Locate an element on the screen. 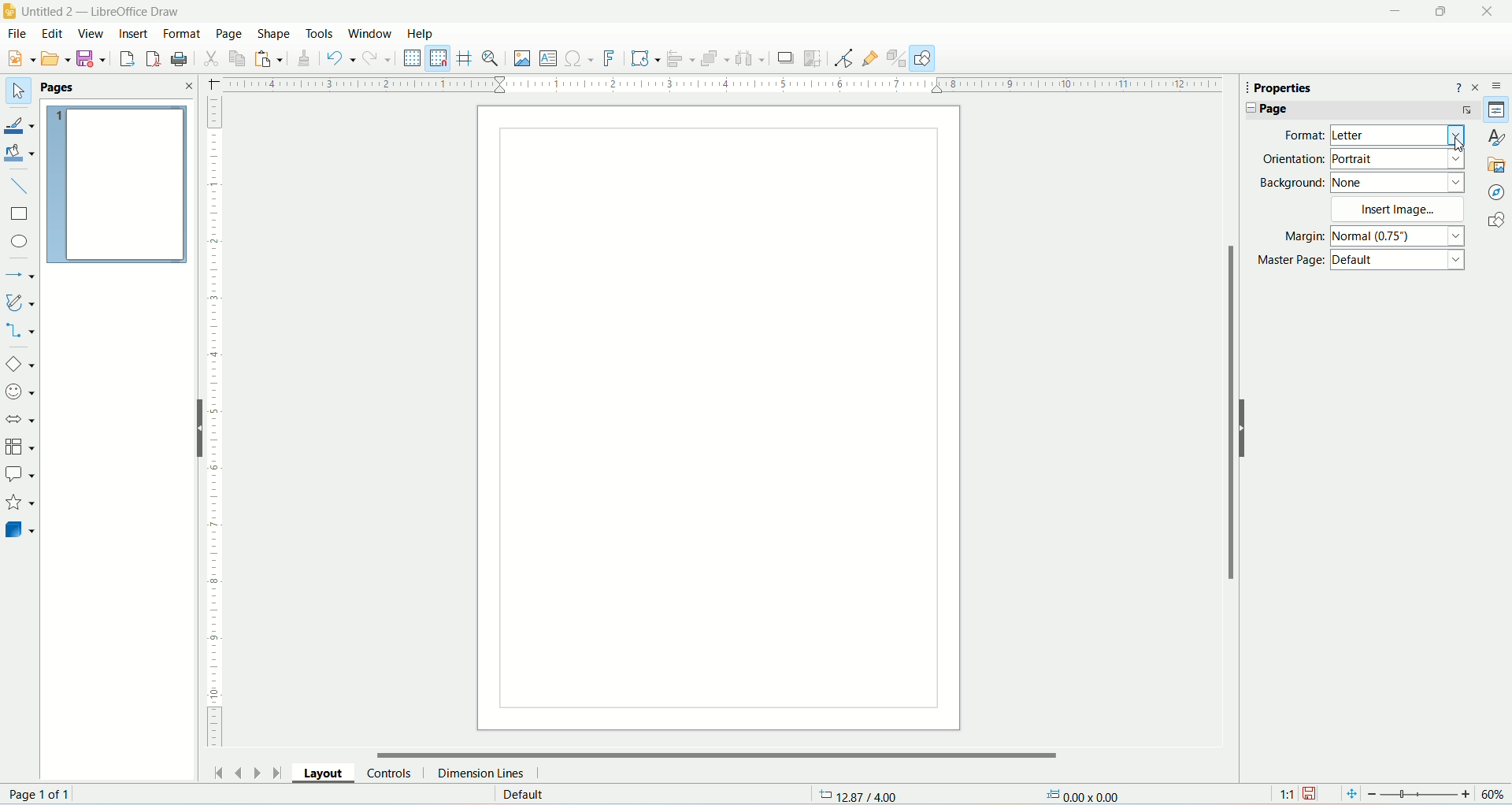  close is located at coordinates (1488, 13).